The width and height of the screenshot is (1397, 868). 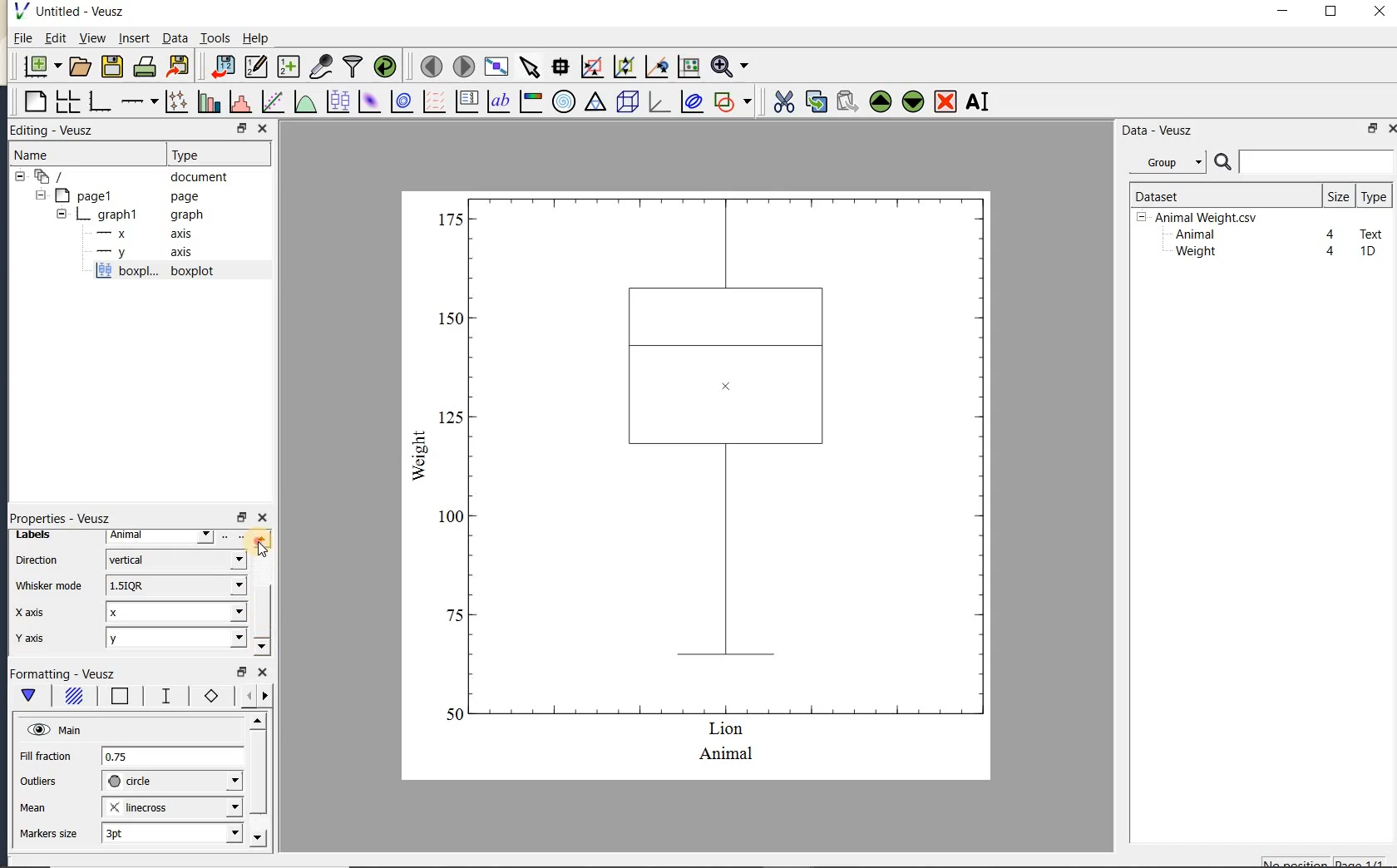 What do you see at coordinates (400, 101) in the screenshot?
I see `plot a 2d dataset as contours` at bounding box center [400, 101].